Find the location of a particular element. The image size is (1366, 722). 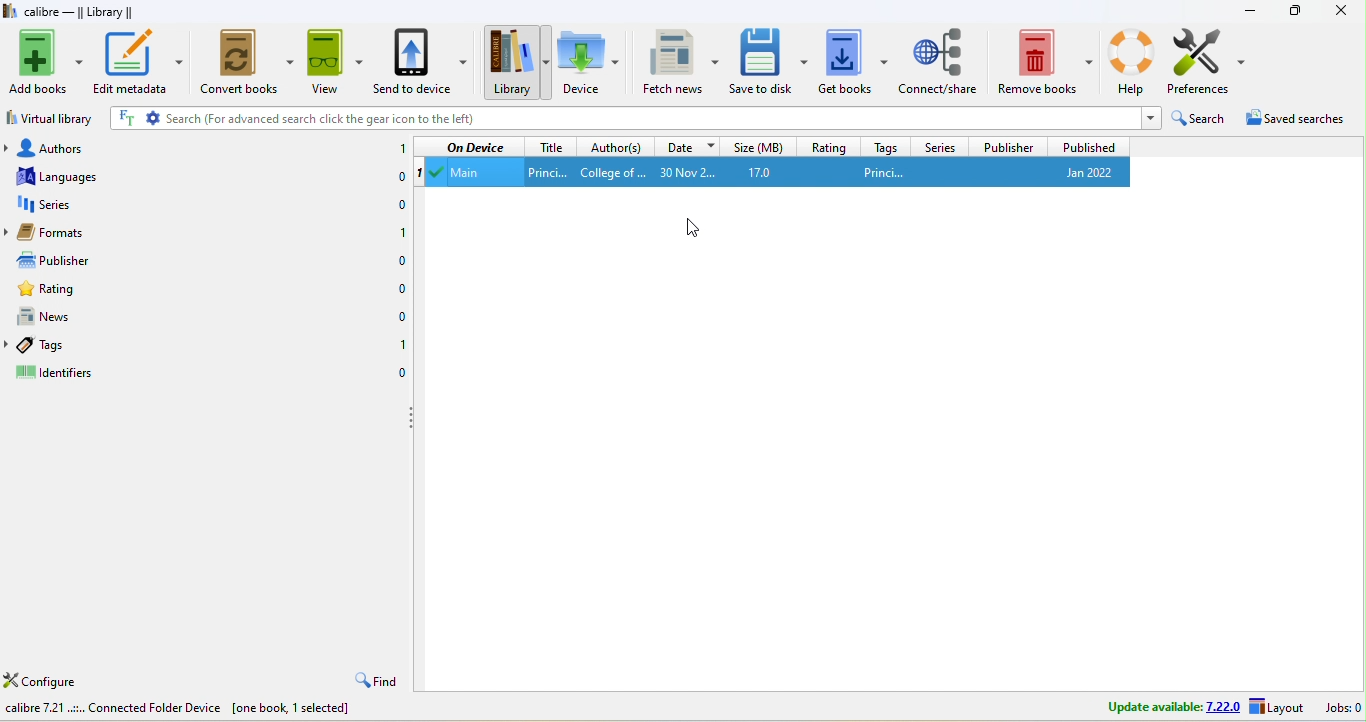

0 is located at coordinates (394, 179).